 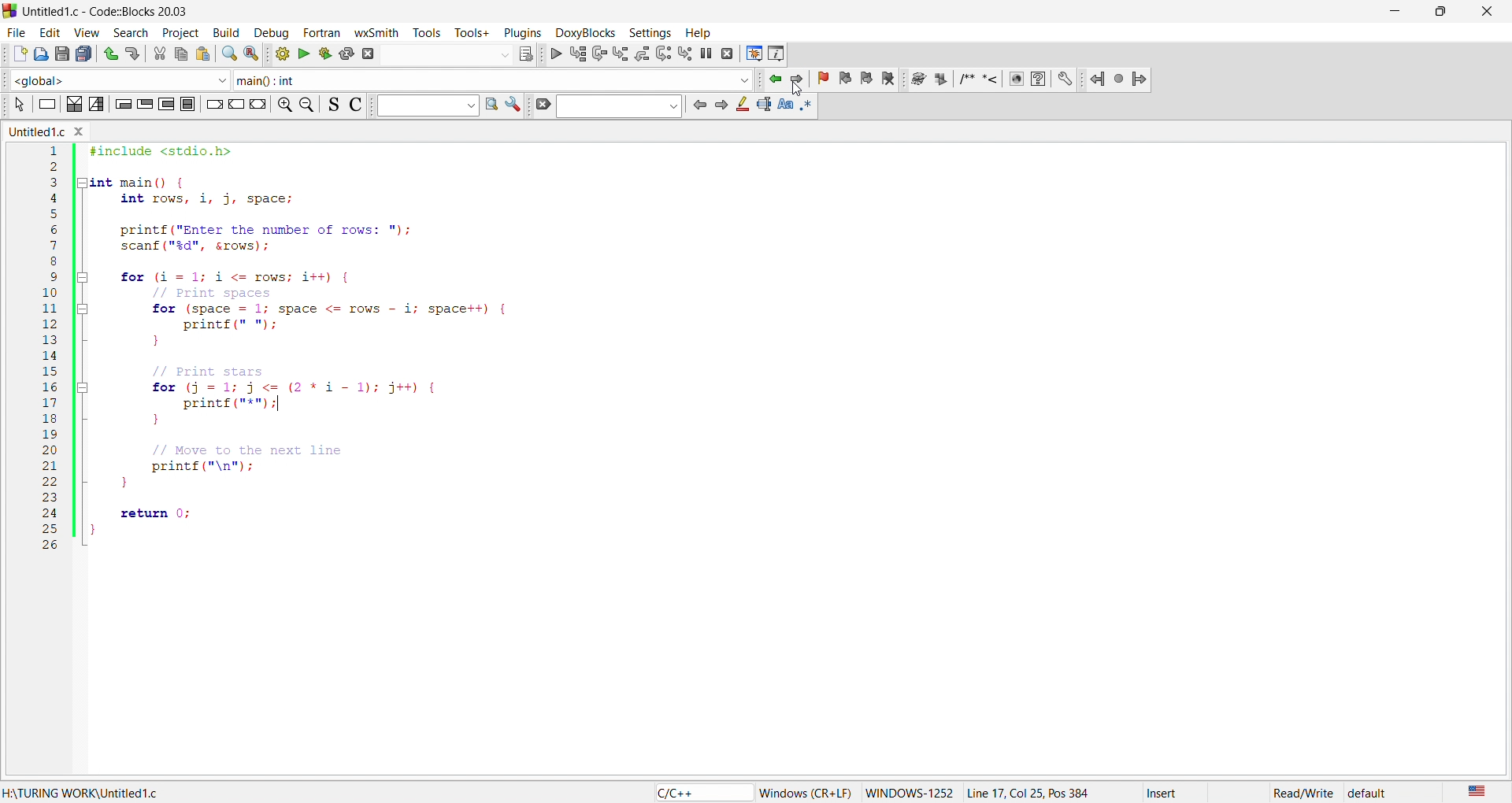 I want to click on icon, so click(x=720, y=105).